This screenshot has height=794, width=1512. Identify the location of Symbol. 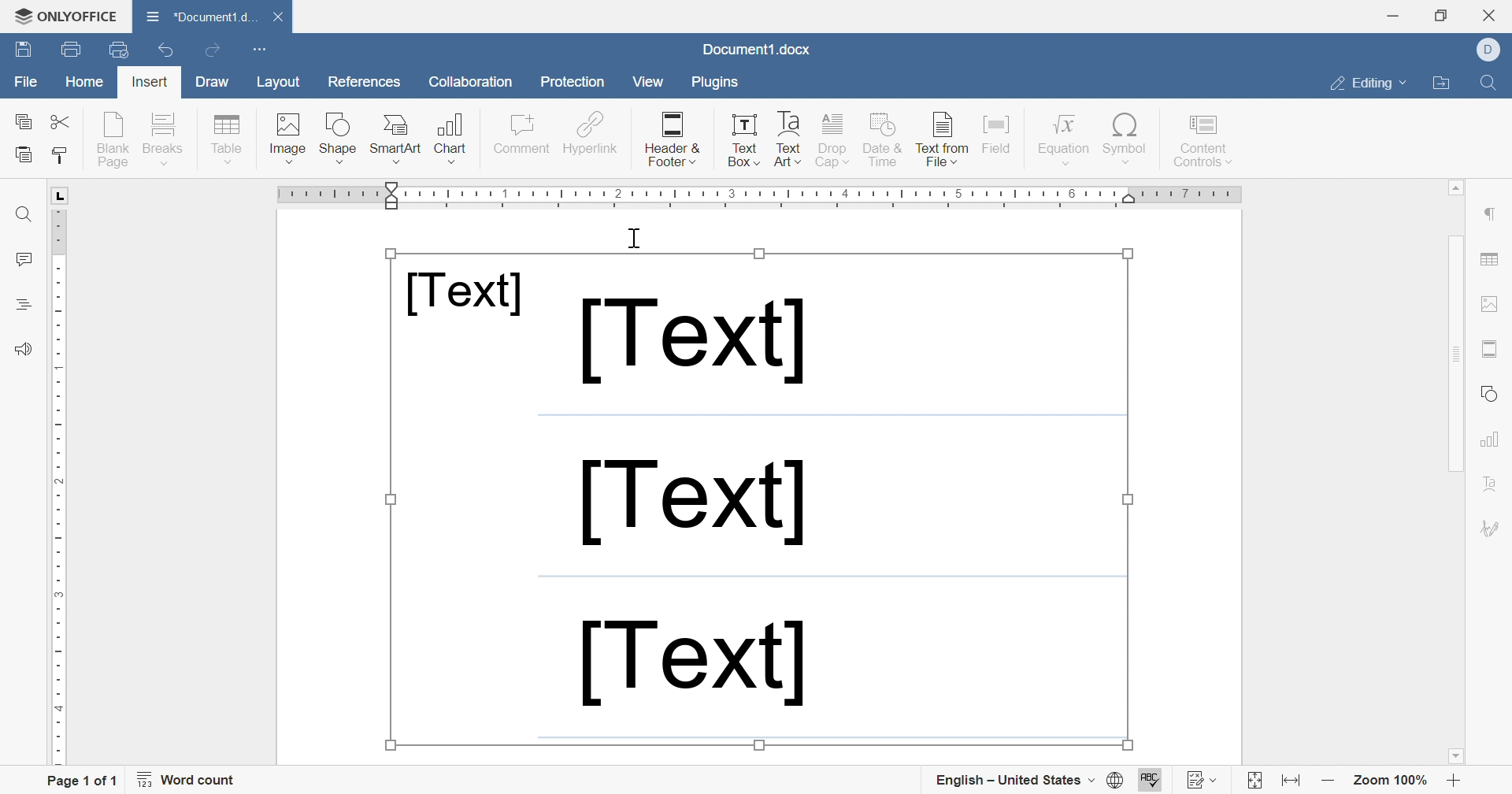
(1126, 140).